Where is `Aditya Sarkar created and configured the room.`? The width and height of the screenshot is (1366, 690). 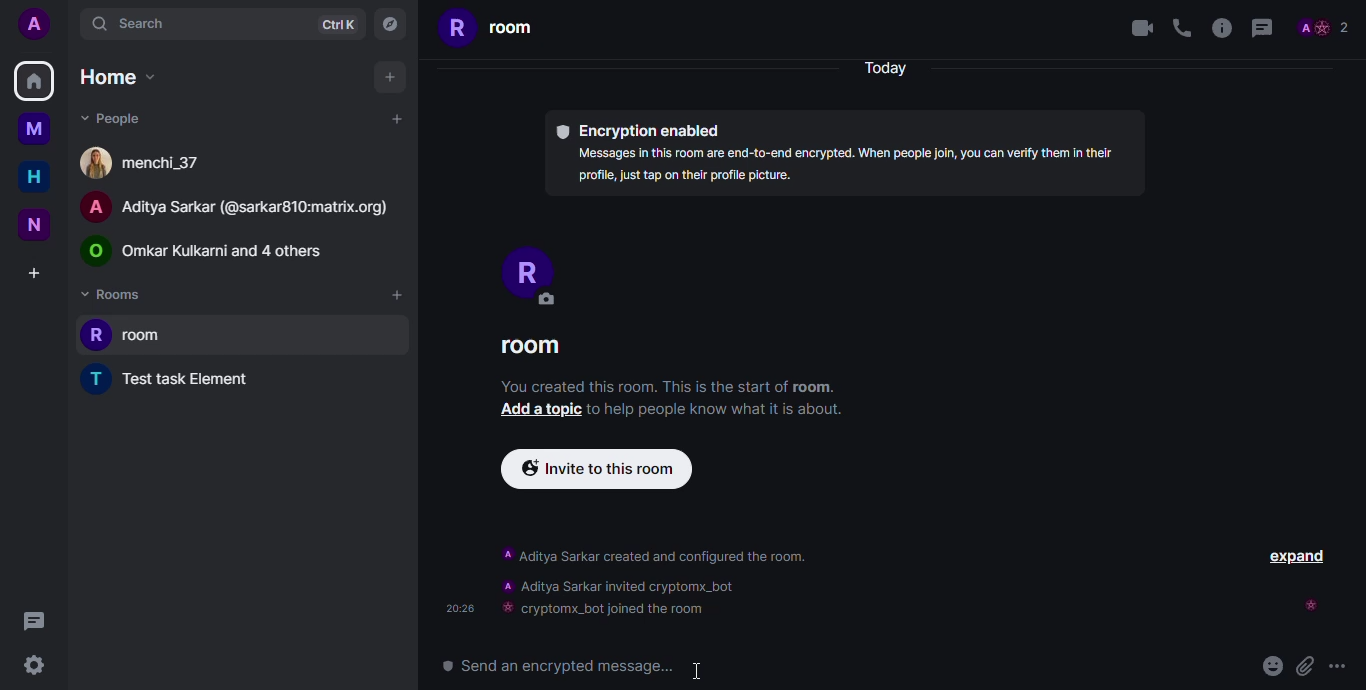 Aditya Sarkar created and configured the room. is located at coordinates (676, 557).